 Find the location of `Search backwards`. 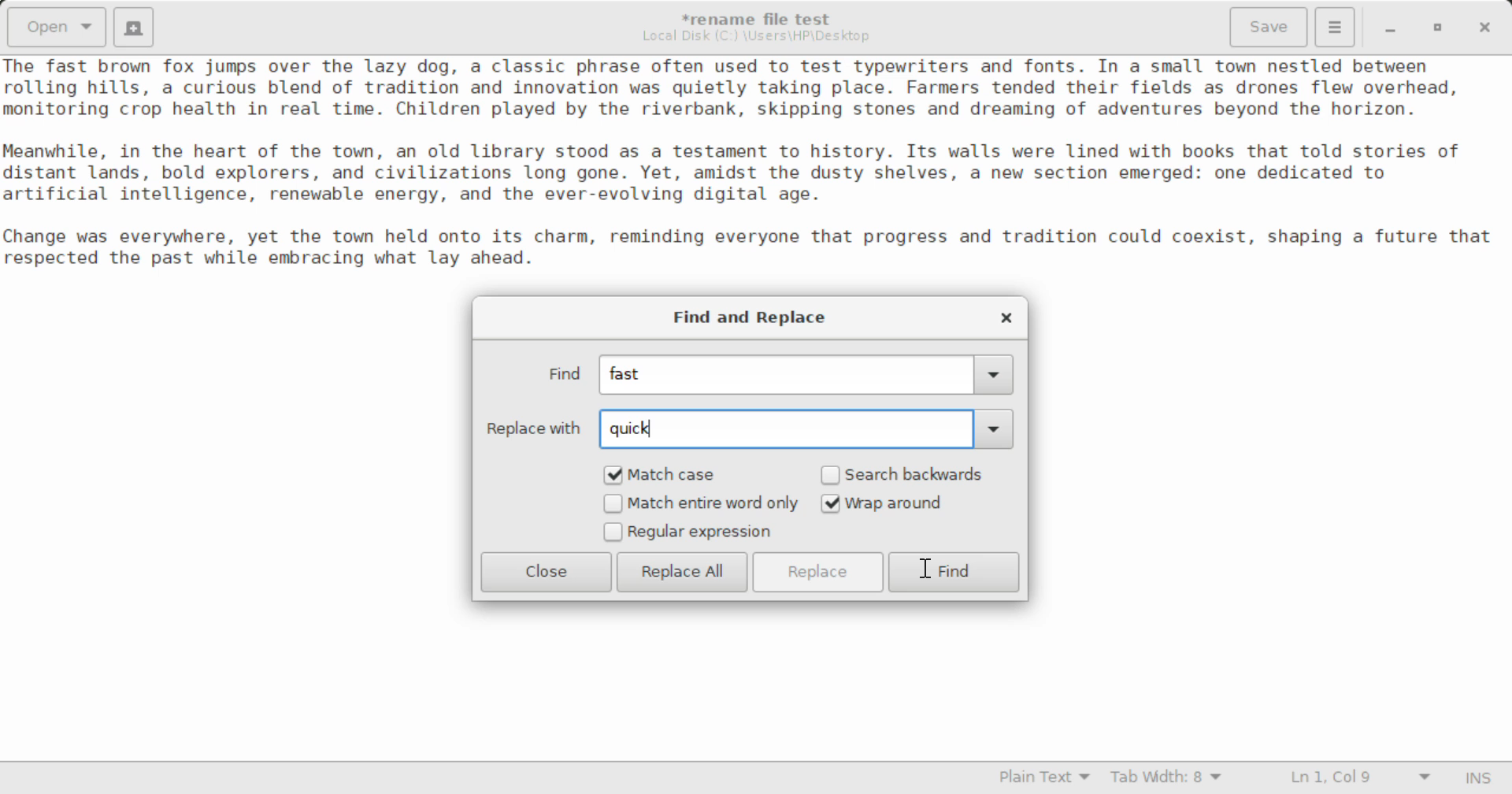

Search backwards is located at coordinates (907, 474).